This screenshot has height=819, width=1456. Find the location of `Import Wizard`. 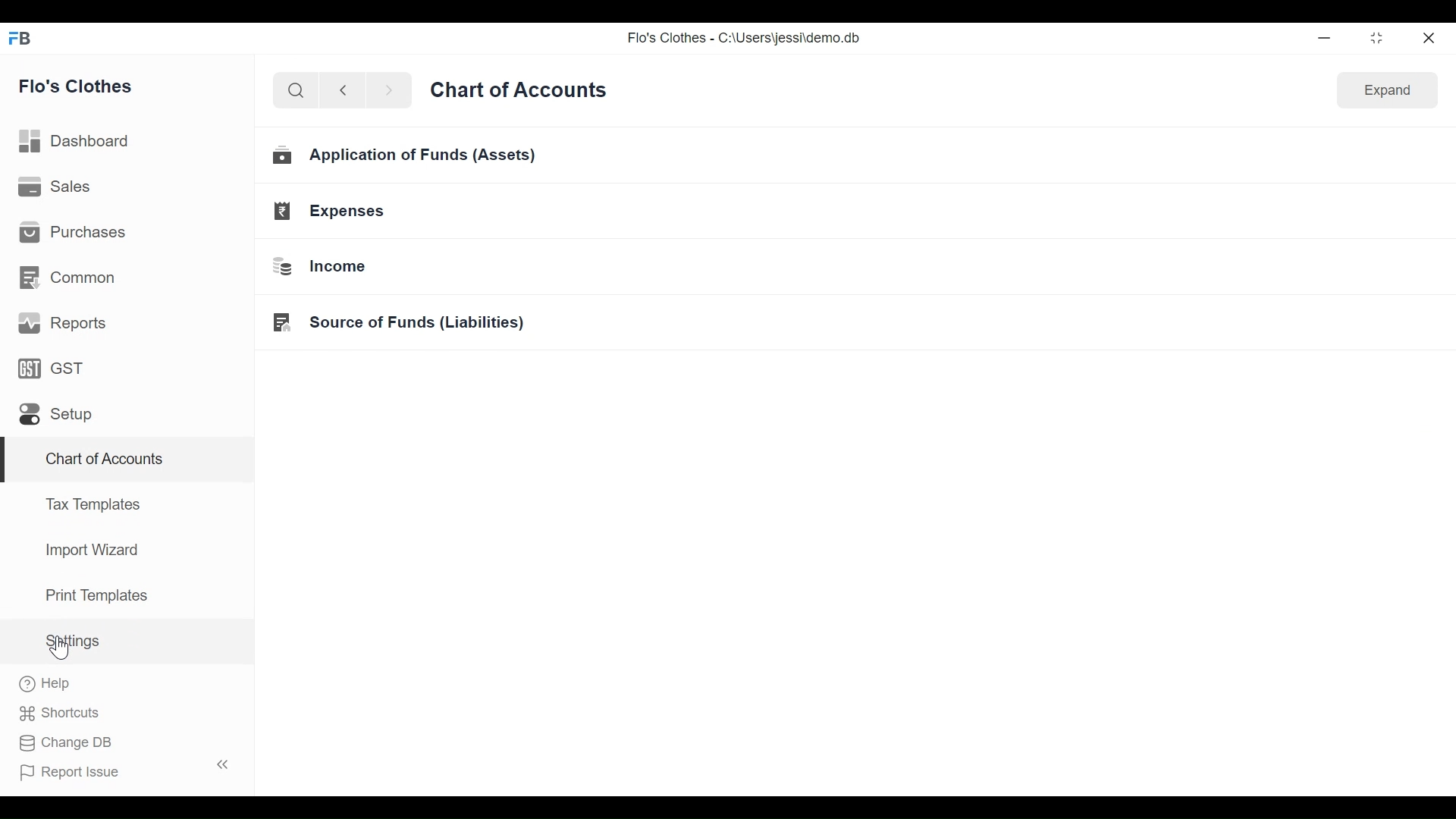

Import Wizard is located at coordinates (91, 551).